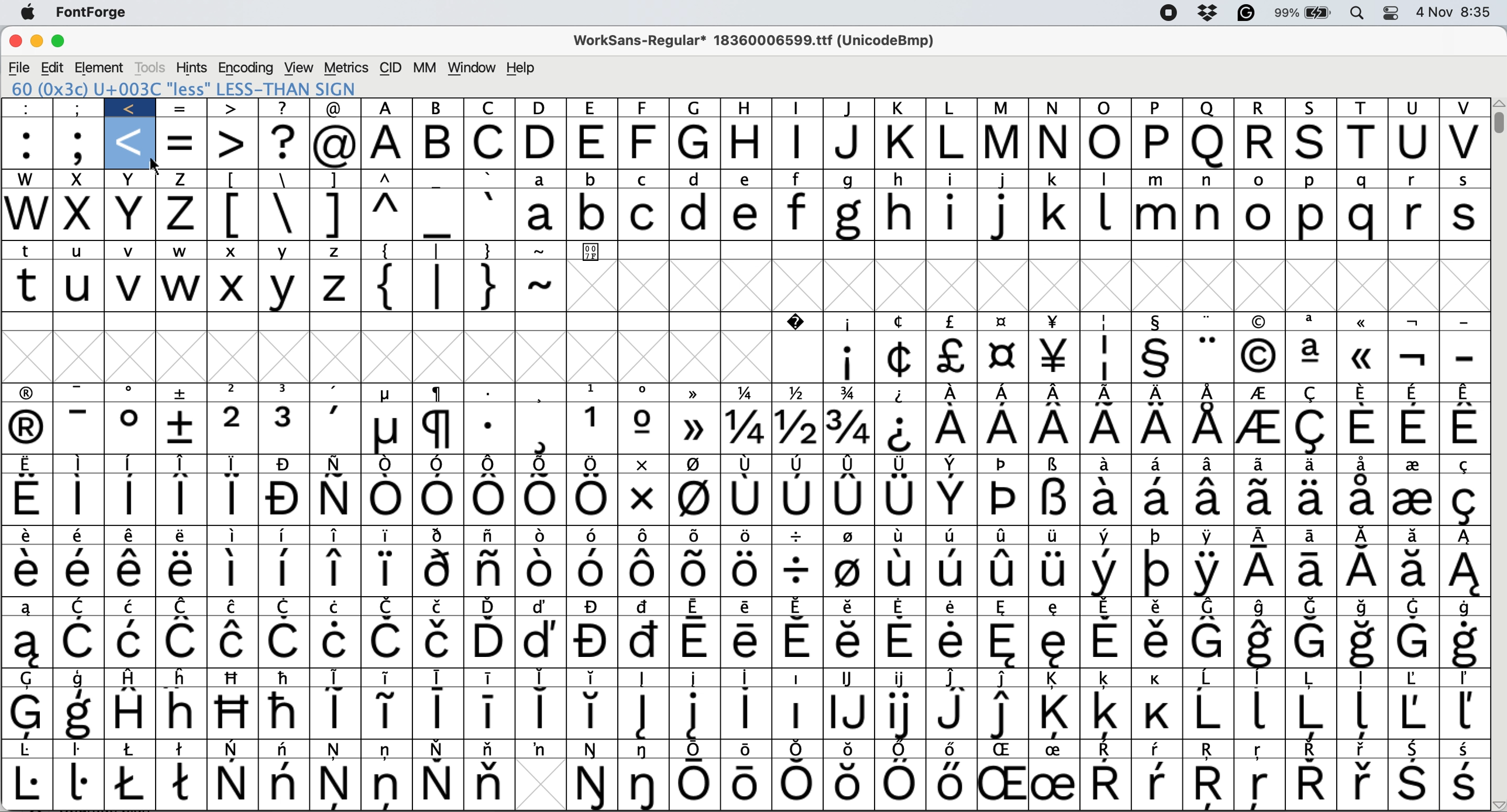 The height and width of the screenshot is (812, 1507). What do you see at coordinates (132, 143) in the screenshot?
I see `<` at bounding box center [132, 143].